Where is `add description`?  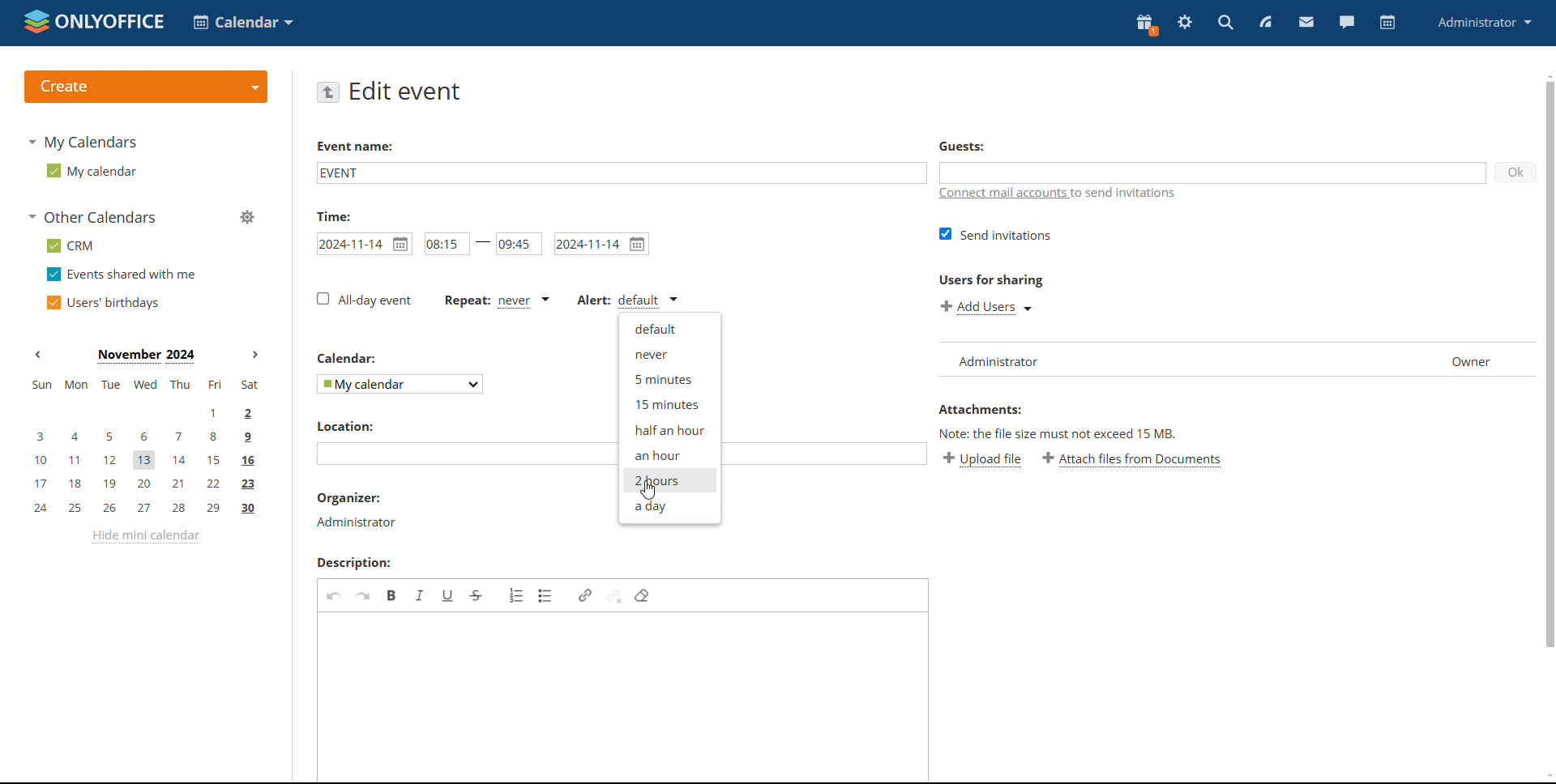
add description is located at coordinates (622, 697).